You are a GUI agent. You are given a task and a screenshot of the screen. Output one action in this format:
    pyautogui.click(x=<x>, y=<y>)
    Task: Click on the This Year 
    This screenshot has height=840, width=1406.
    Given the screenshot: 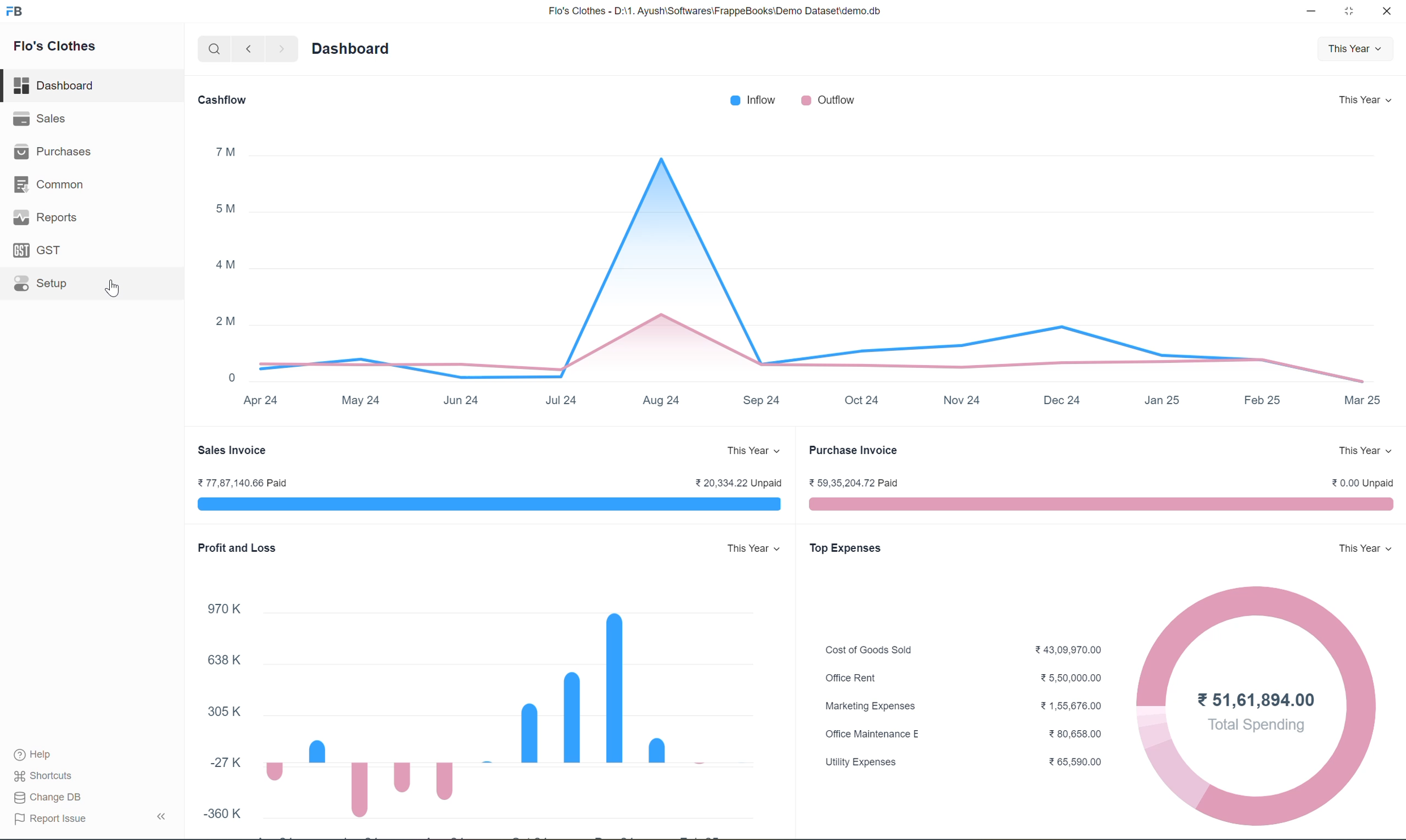 What is the action you would take?
    pyautogui.click(x=1366, y=100)
    